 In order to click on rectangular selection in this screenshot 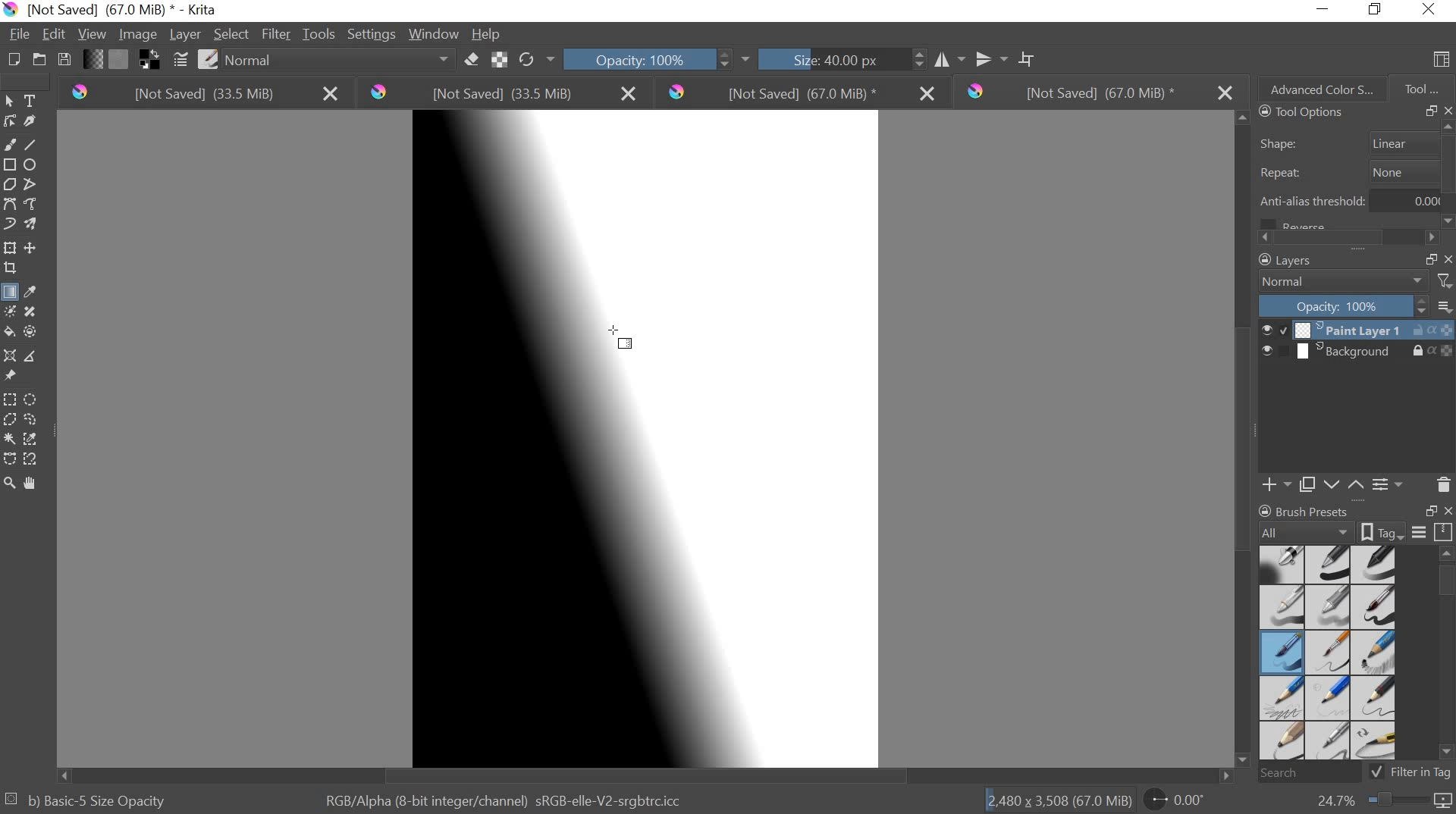, I will do `click(10, 398)`.